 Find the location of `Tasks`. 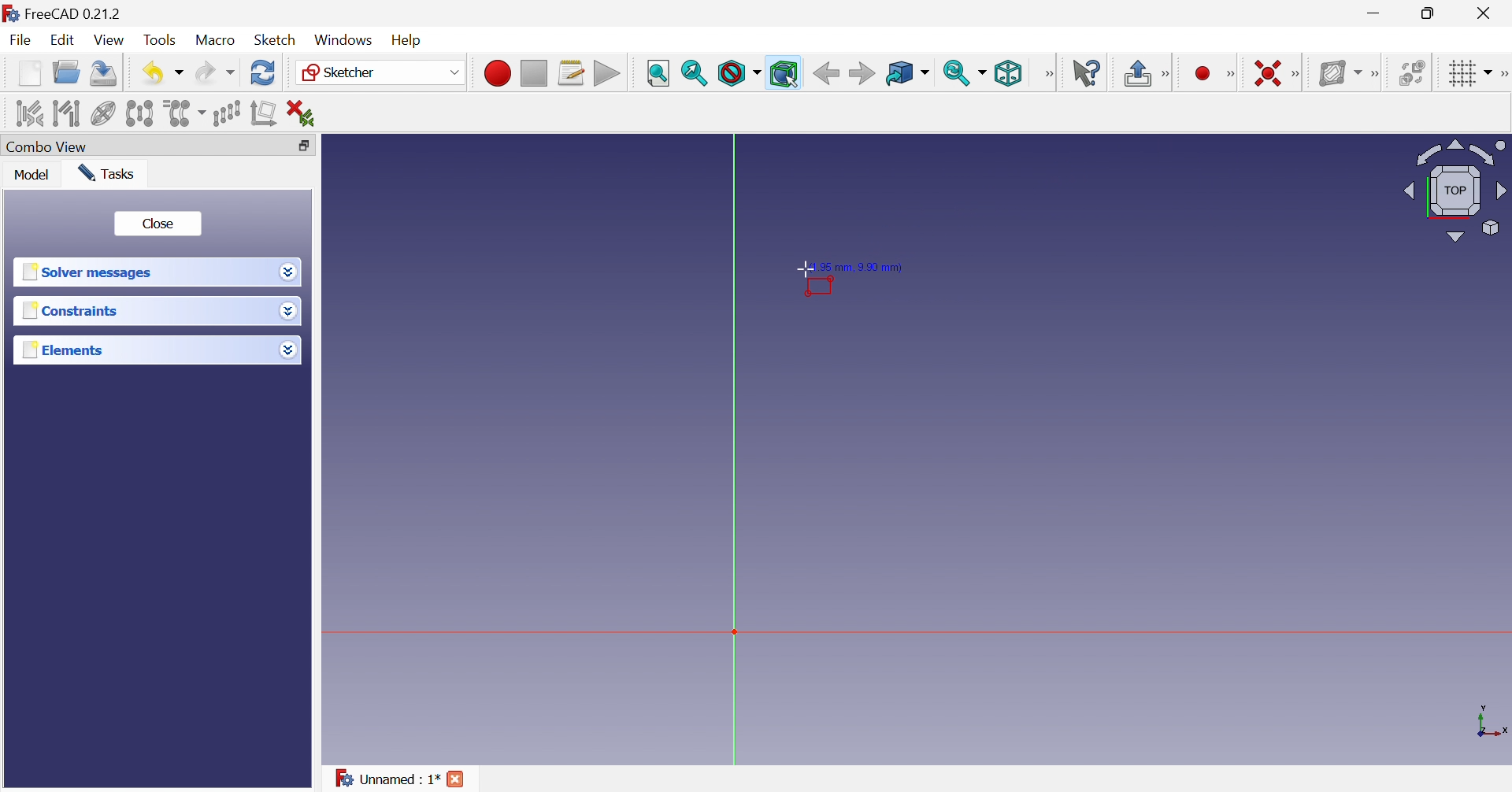

Tasks is located at coordinates (106, 172).